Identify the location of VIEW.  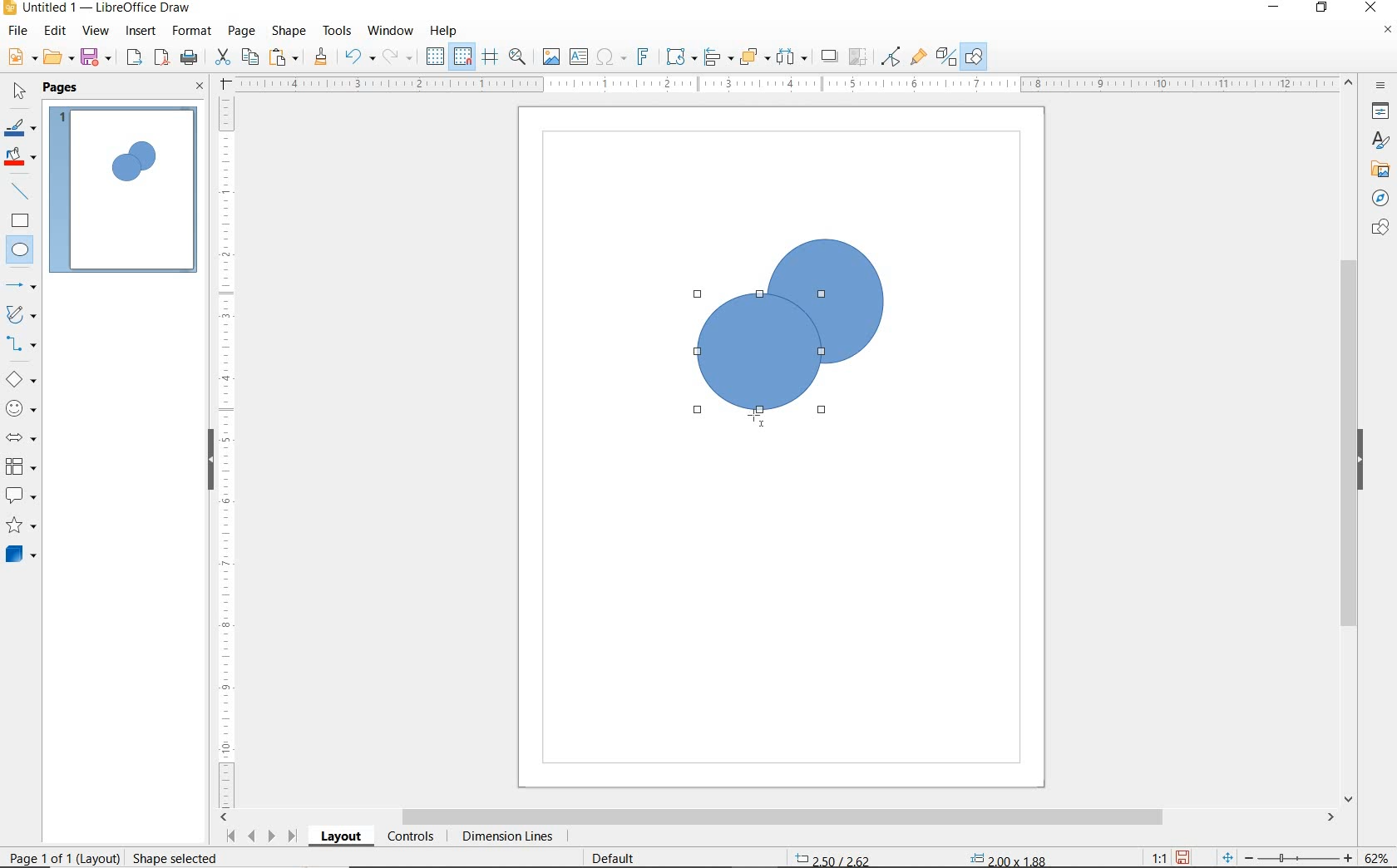
(96, 32).